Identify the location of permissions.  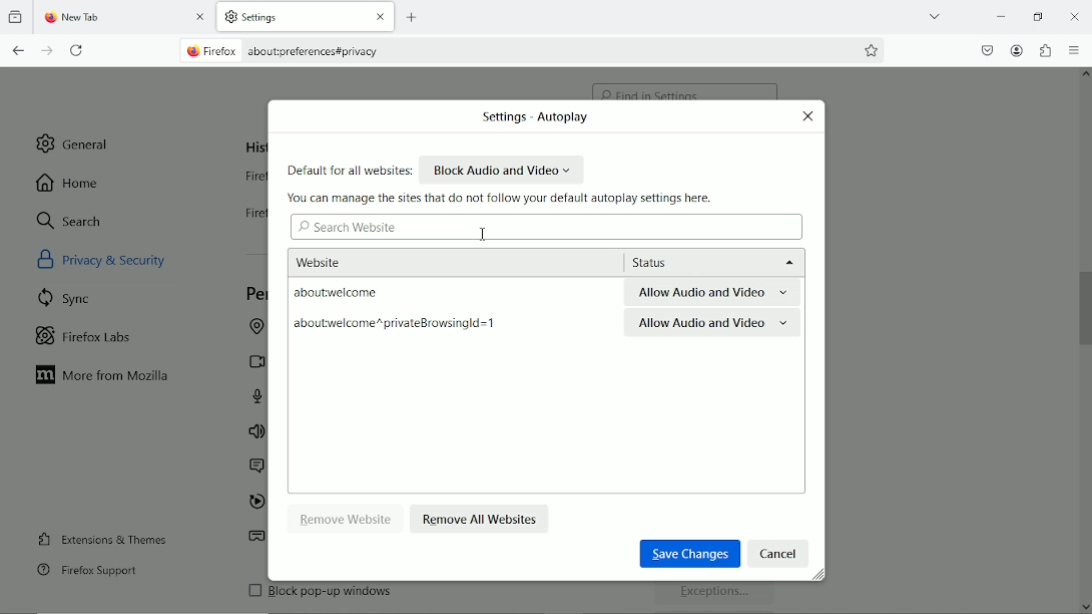
(255, 294).